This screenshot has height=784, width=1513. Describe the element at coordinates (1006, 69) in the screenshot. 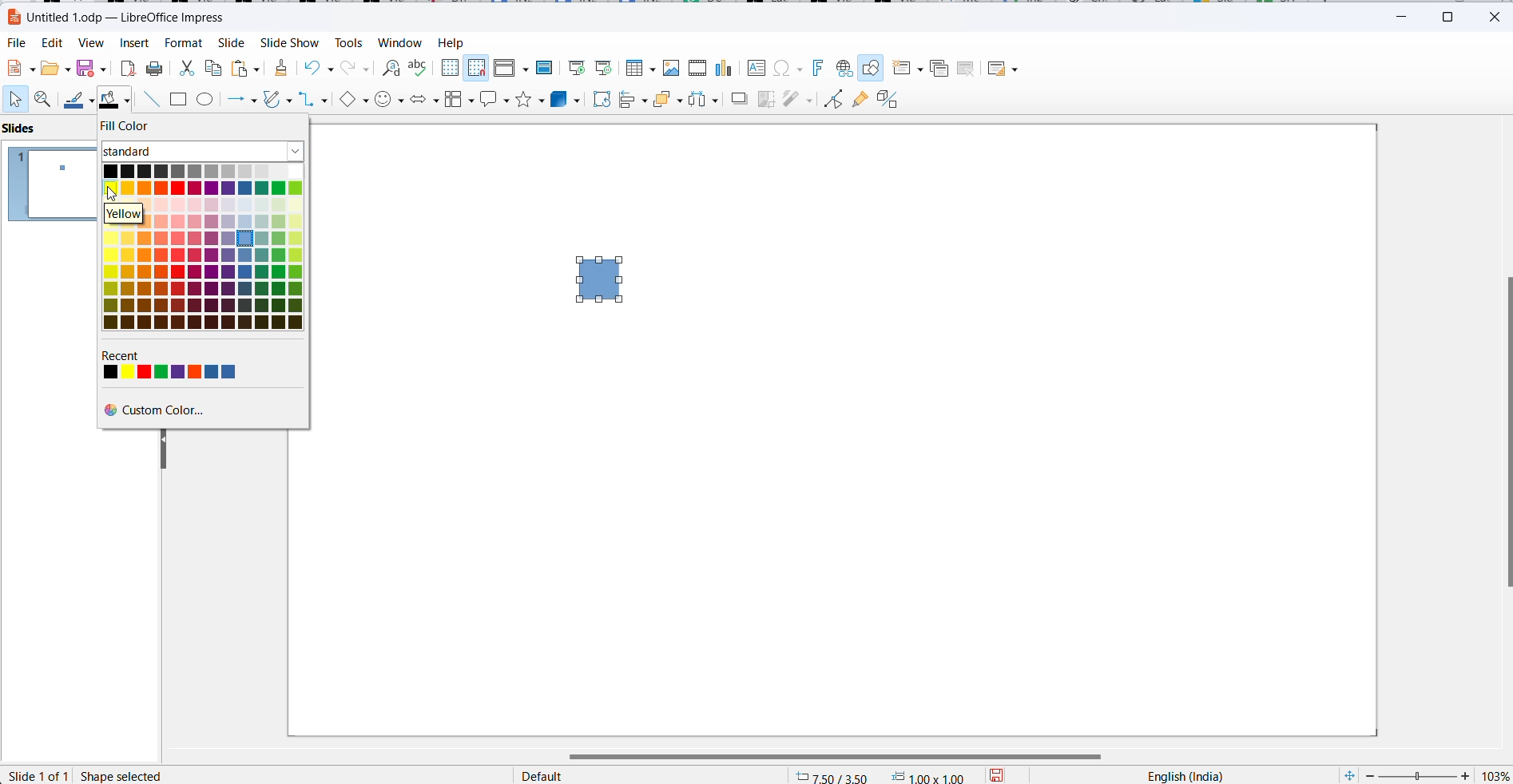

I see `Slide layout` at that location.